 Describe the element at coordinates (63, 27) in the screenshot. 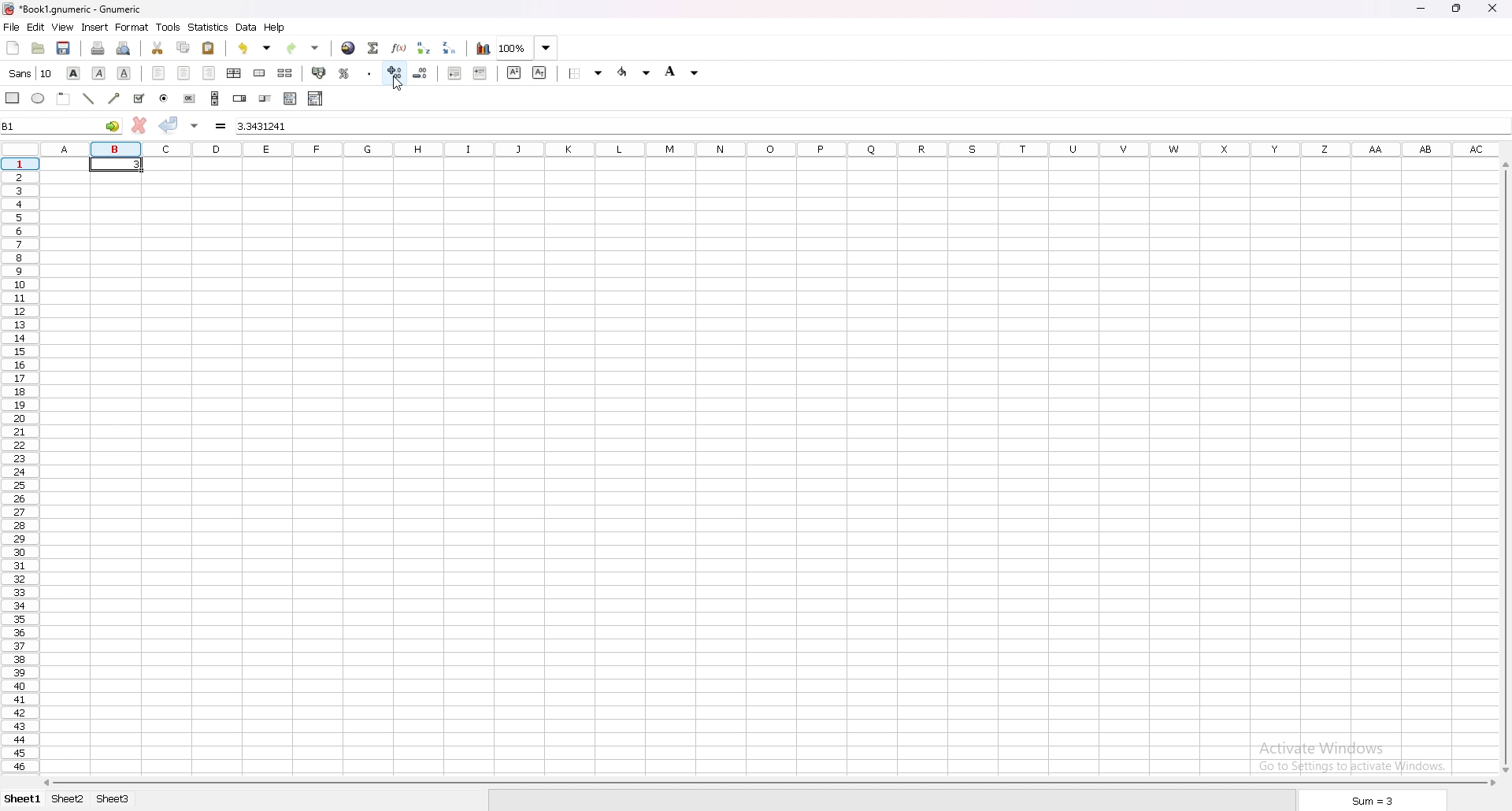

I see `view` at that location.